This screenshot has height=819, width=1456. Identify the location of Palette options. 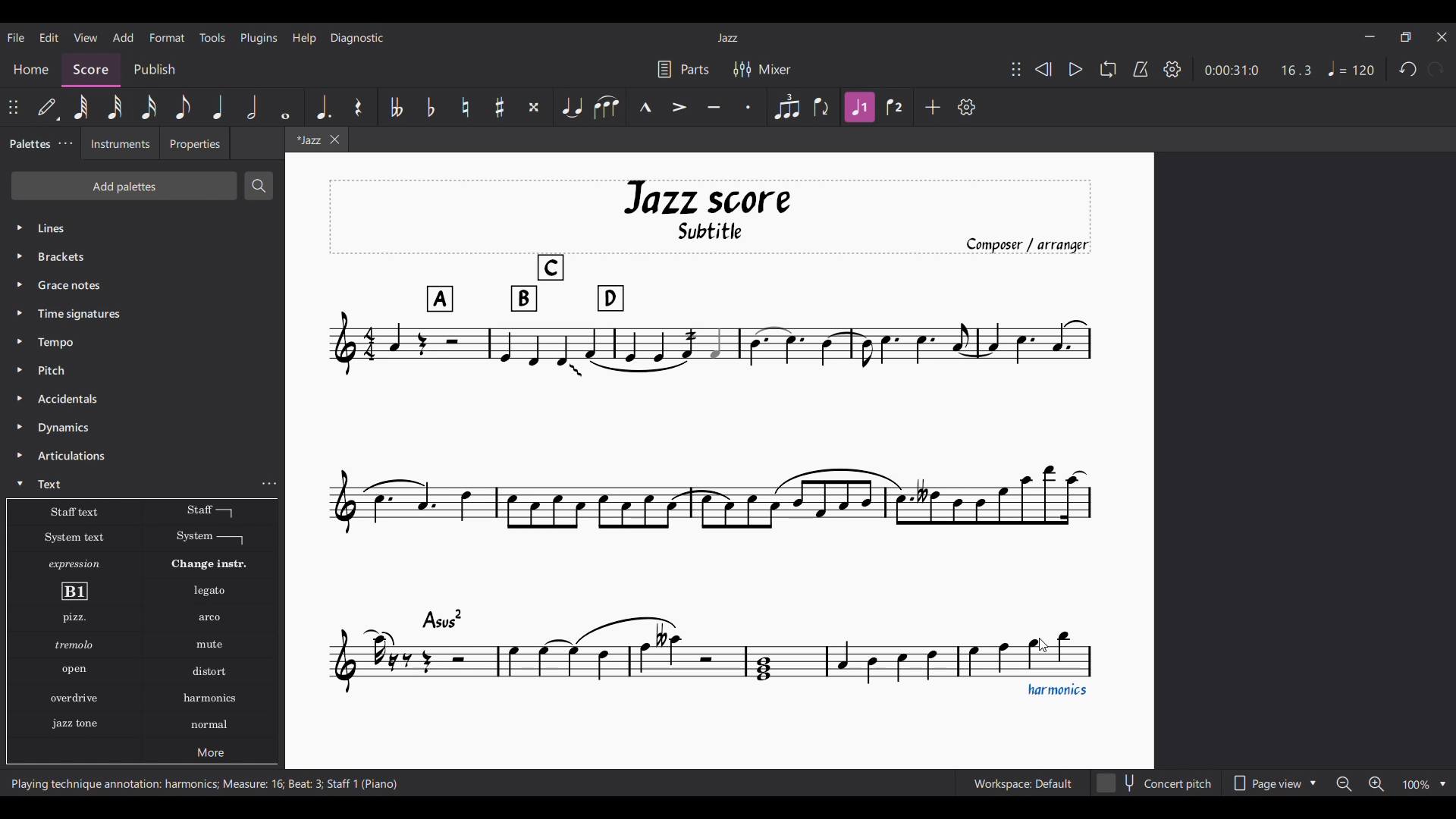
(91, 228).